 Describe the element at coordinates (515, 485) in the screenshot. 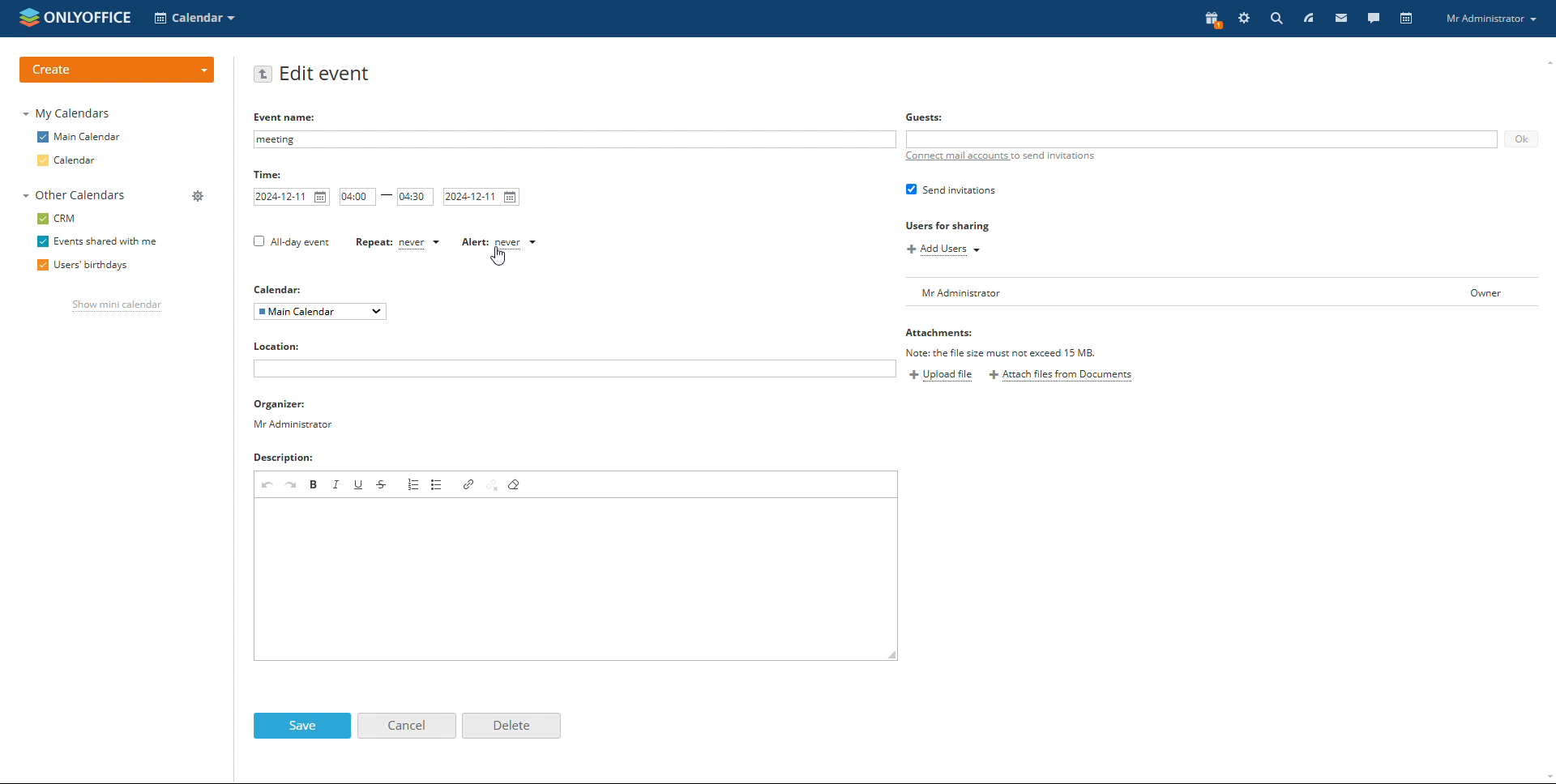

I see `remove format` at that location.